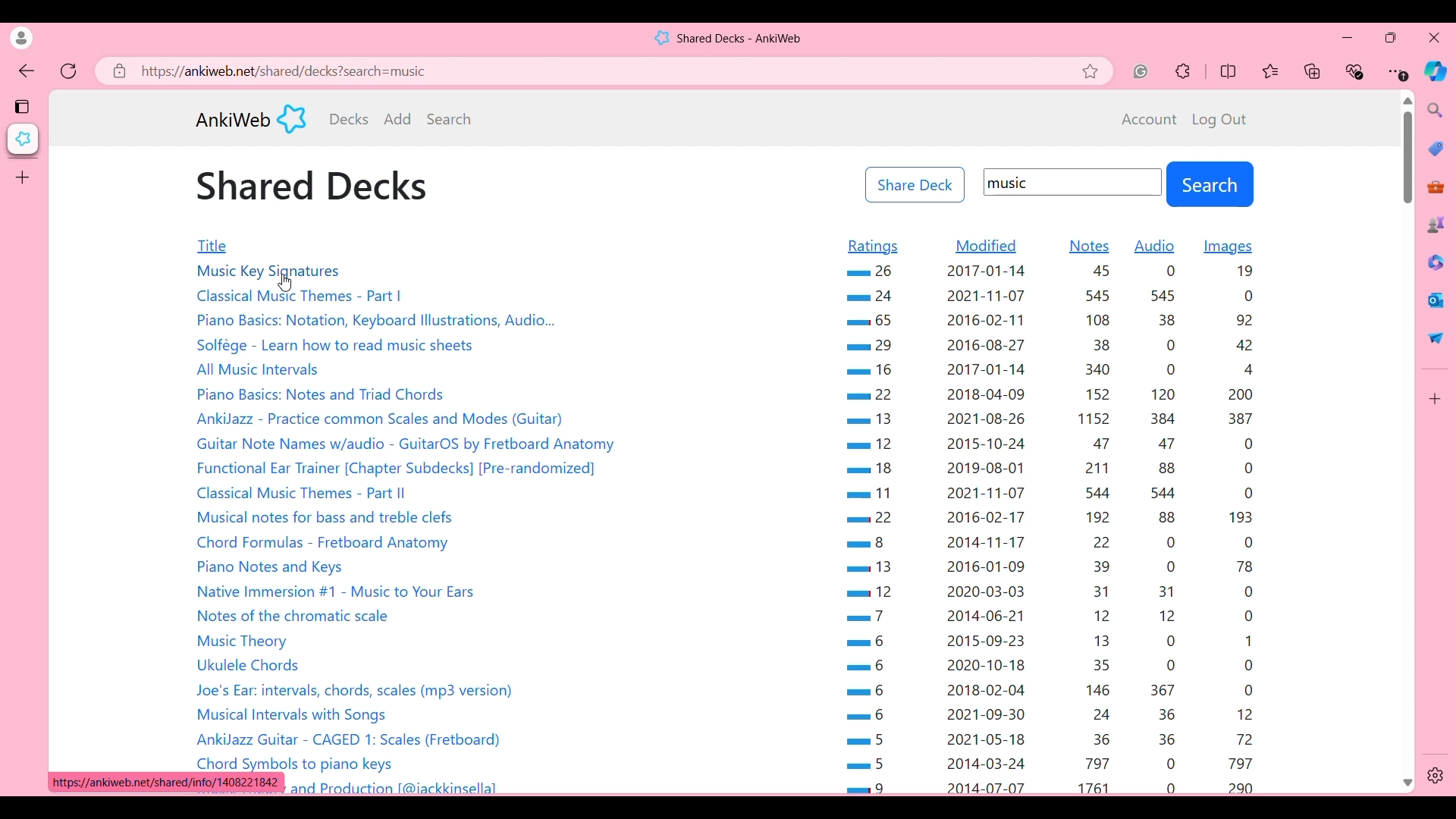  Describe the element at coordinates (1435, 71) in the screenshot. I see `Browser AI` at that location.